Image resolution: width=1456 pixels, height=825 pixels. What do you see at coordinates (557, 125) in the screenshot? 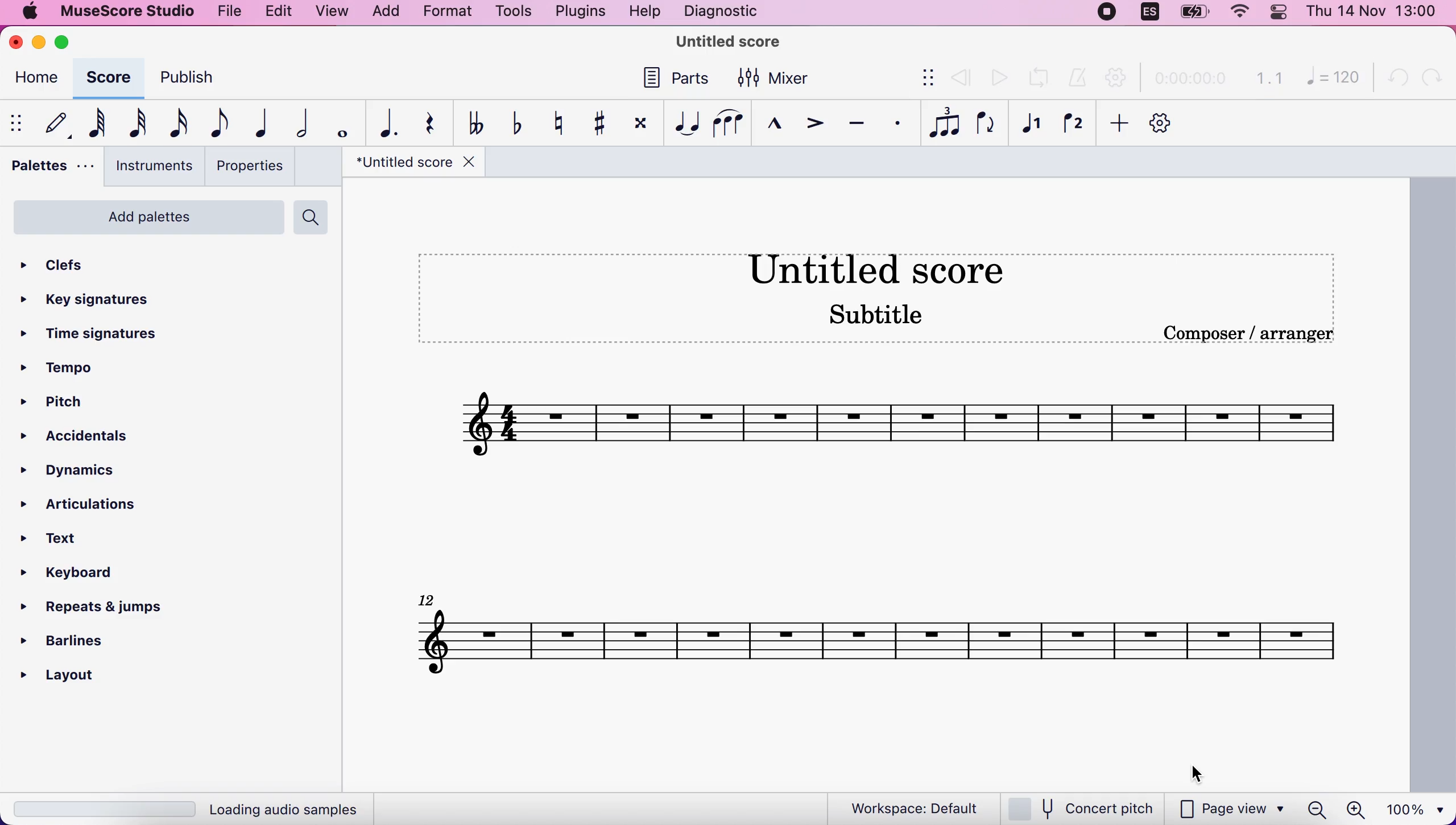
I see `toggle natural` at bounding box center [557, 125].